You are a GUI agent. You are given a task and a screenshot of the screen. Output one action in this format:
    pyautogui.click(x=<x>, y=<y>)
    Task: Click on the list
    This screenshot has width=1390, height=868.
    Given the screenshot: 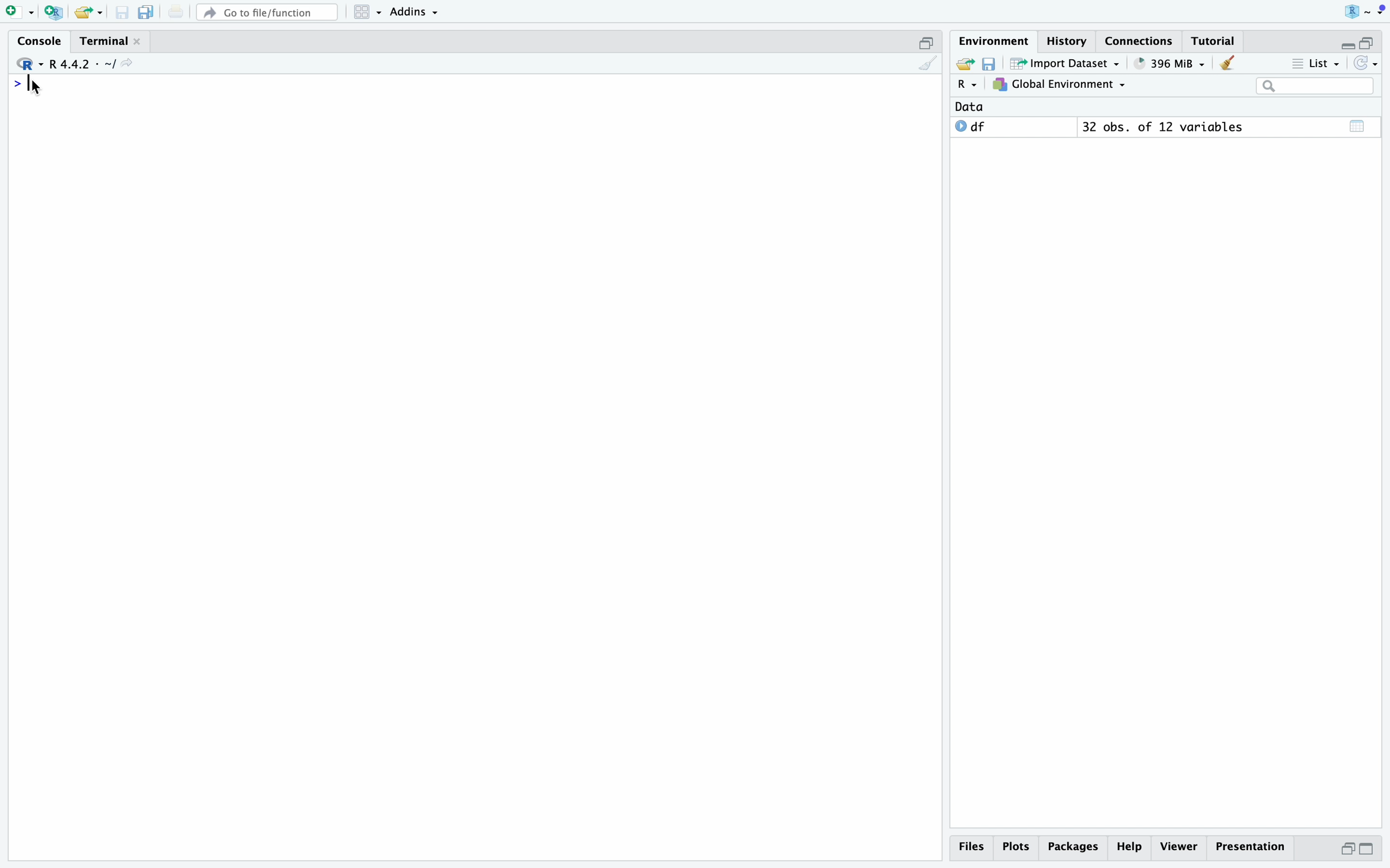 What is the action you would take?
    pyautogui.click(x=1316, y=63)
    